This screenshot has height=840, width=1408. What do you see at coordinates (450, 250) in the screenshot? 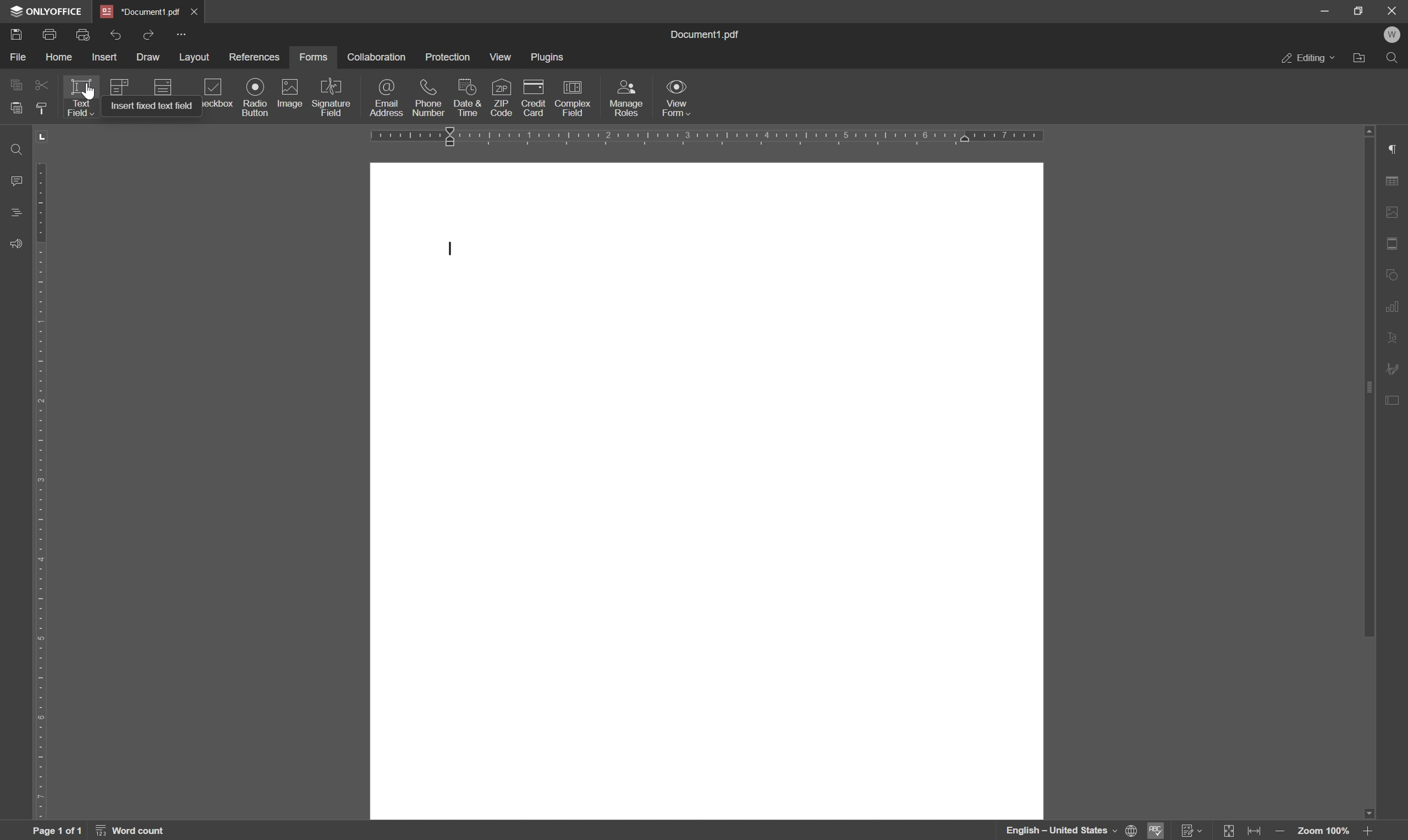
I see `typing cursor` at bounding box center [450, 250].